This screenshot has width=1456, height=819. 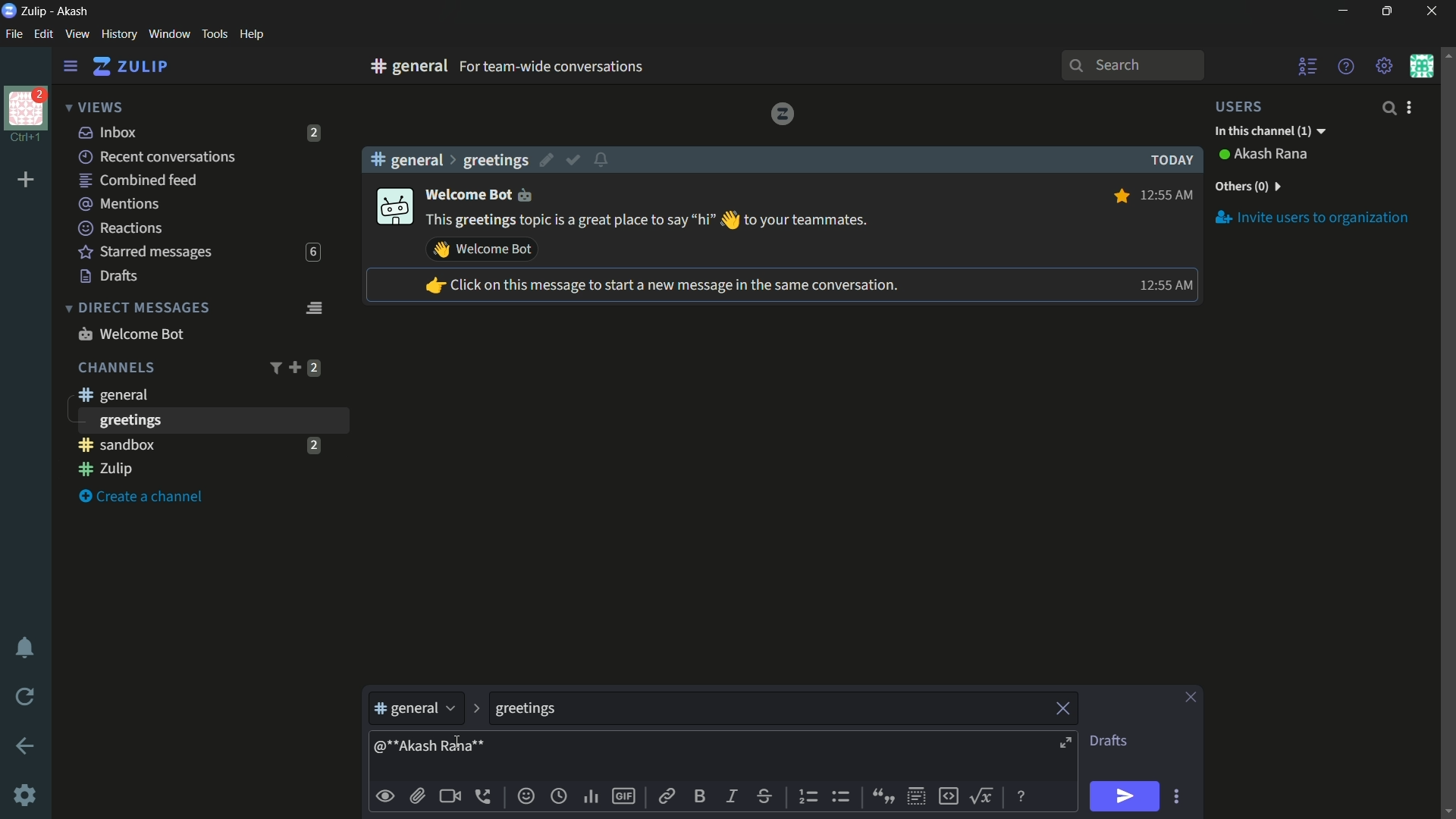 What do you see at coordinates (548, 162) in the screenshot?
I see `edit topic` at bounding box center [548, 162].